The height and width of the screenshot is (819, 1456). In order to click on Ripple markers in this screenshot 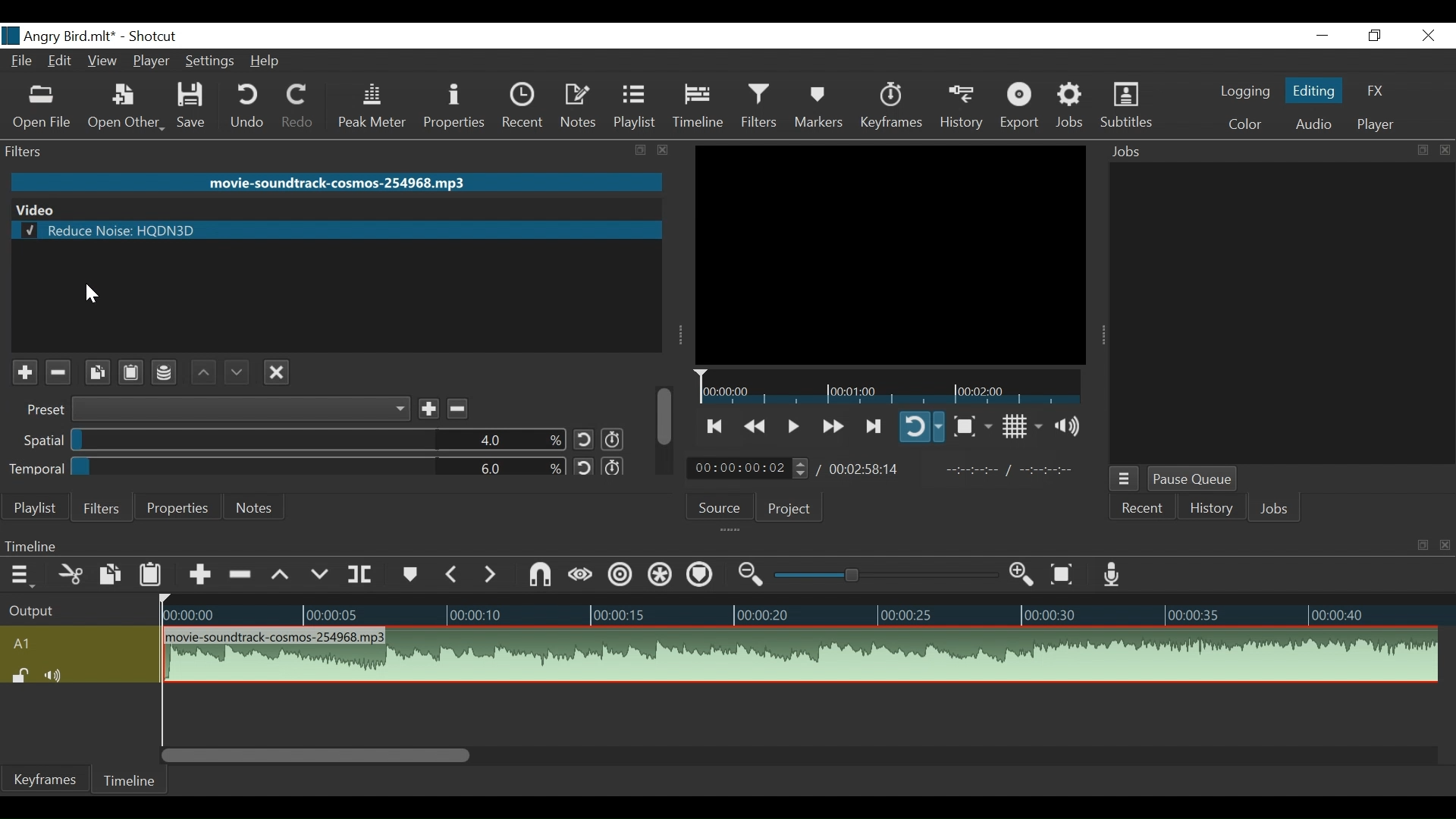, I will do `click(701, 574)`.